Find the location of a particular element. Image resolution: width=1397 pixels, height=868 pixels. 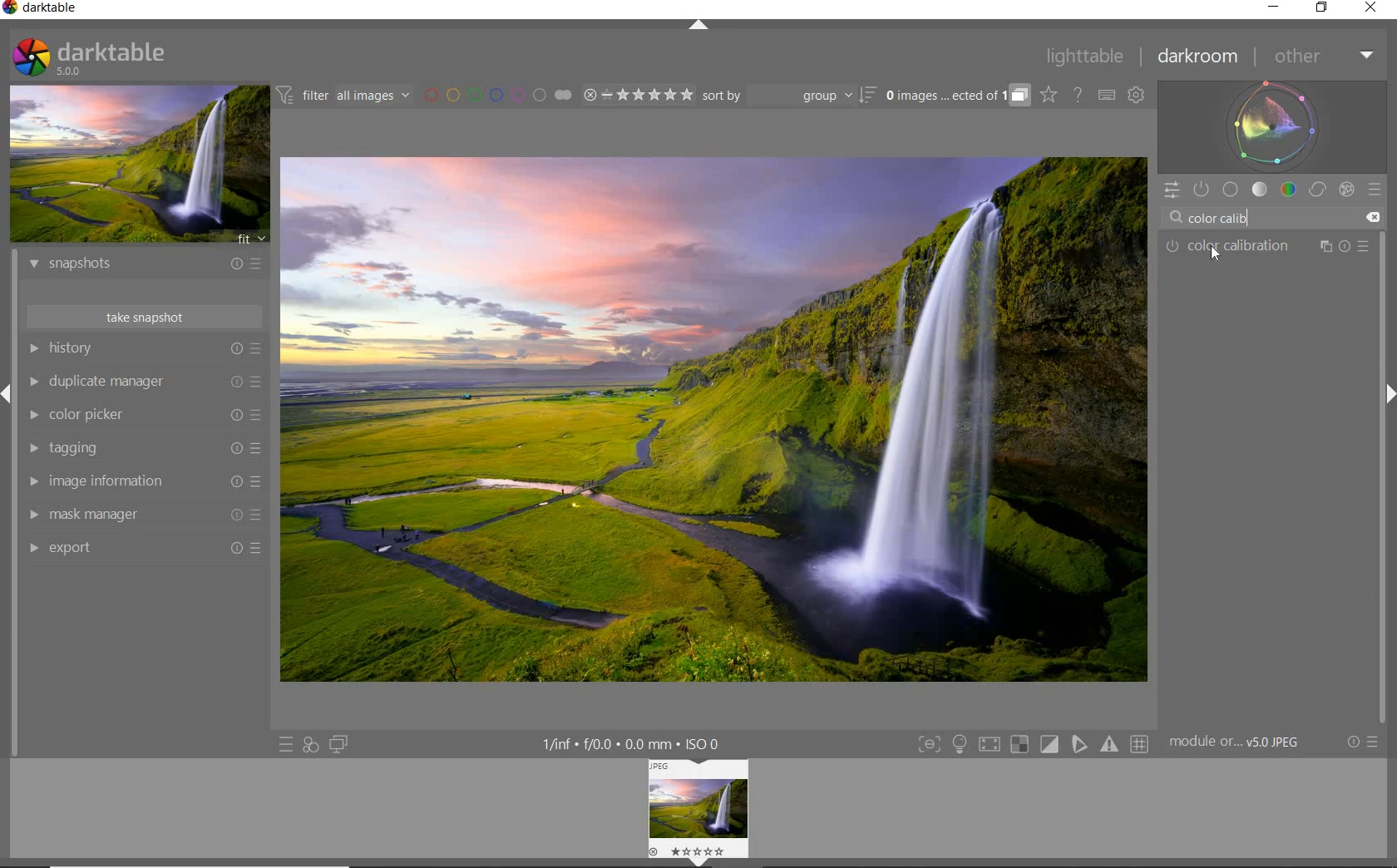

base is located at coordinates (1232, 189).